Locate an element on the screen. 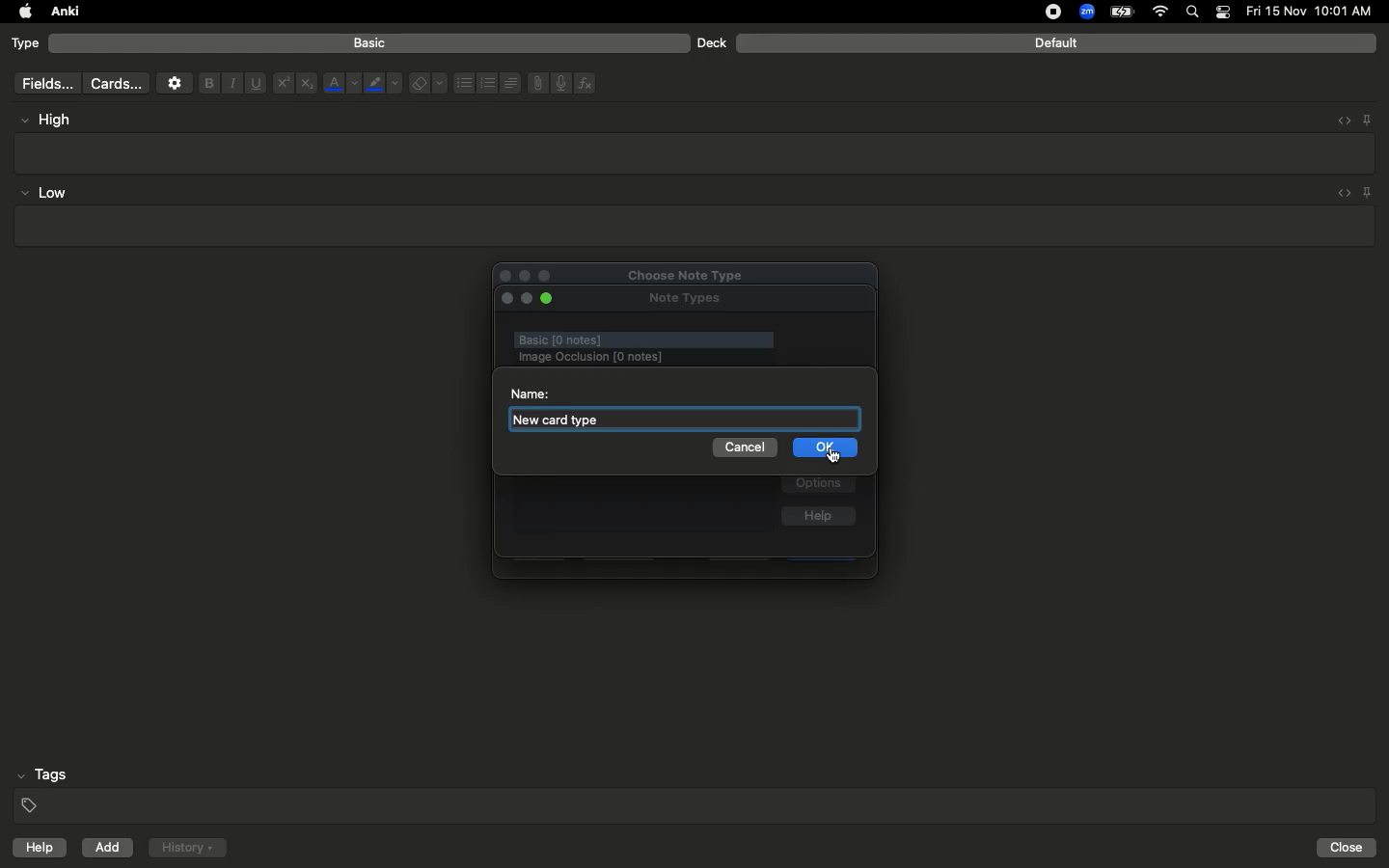  Pin is located at coordinates (1367, 119).